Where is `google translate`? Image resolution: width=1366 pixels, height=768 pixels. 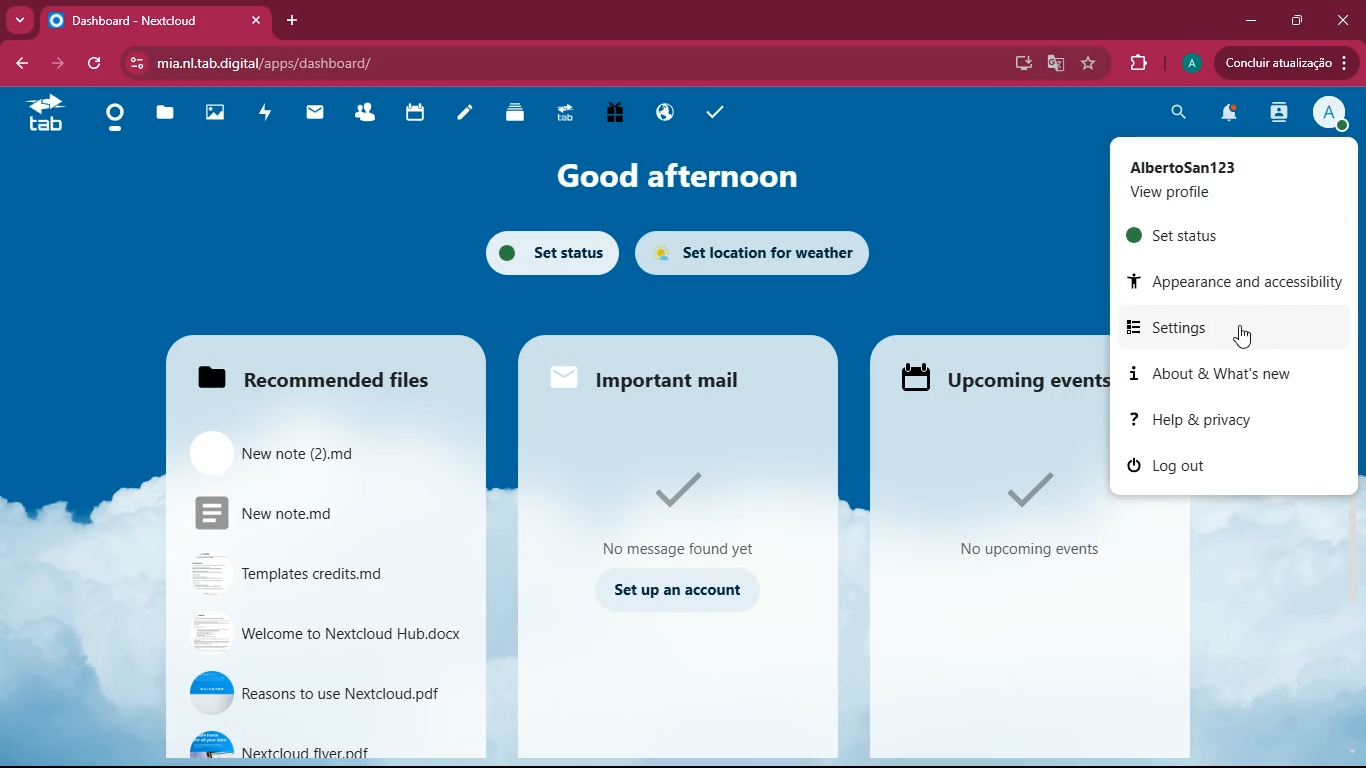
google translate is located at coordinates (1054, 66).